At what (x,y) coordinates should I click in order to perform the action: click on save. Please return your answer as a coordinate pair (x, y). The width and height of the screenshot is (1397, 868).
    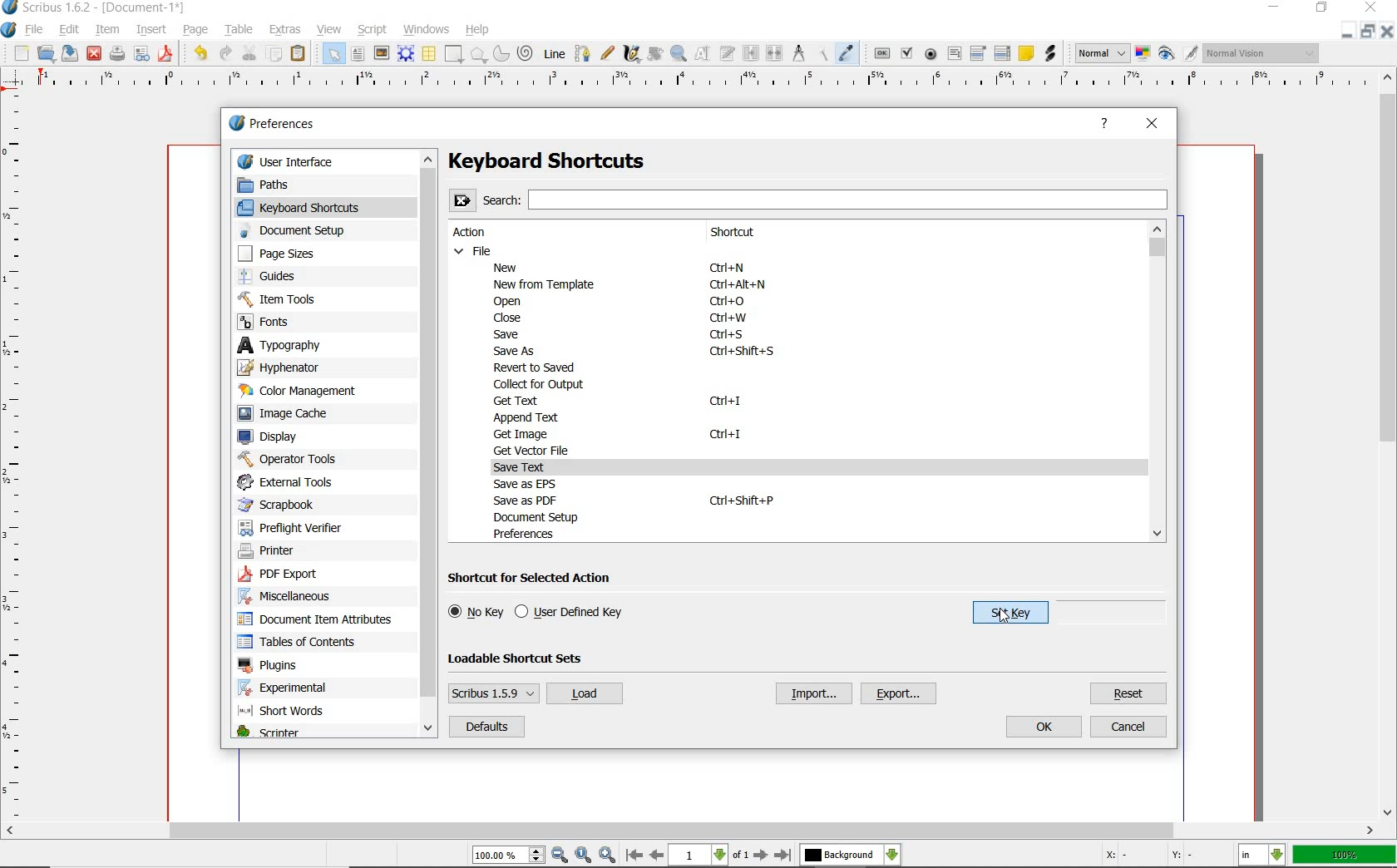
    Looking at the image, I should click on (67, 53).